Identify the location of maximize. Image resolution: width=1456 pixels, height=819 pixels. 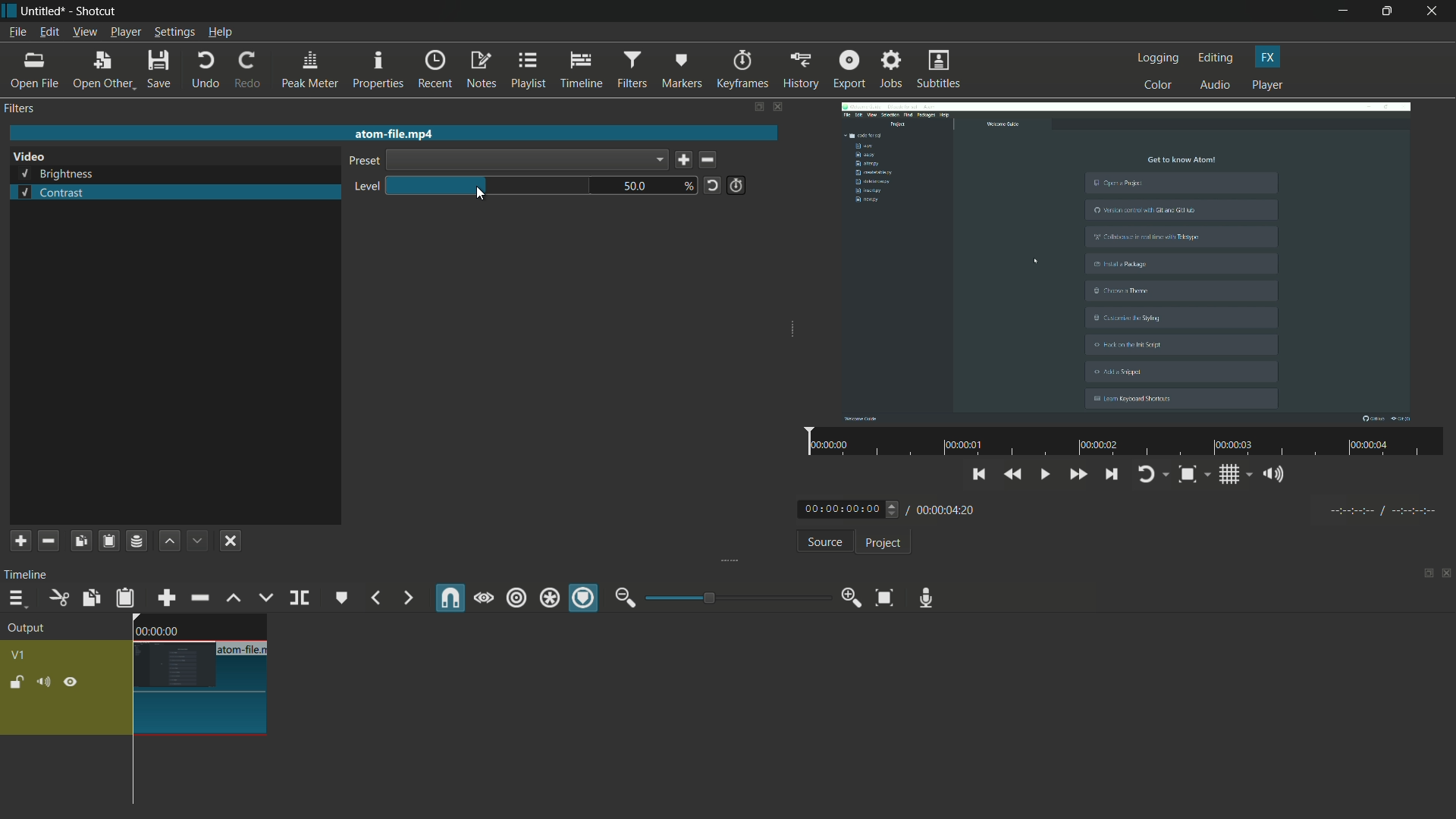
(1389, 11).